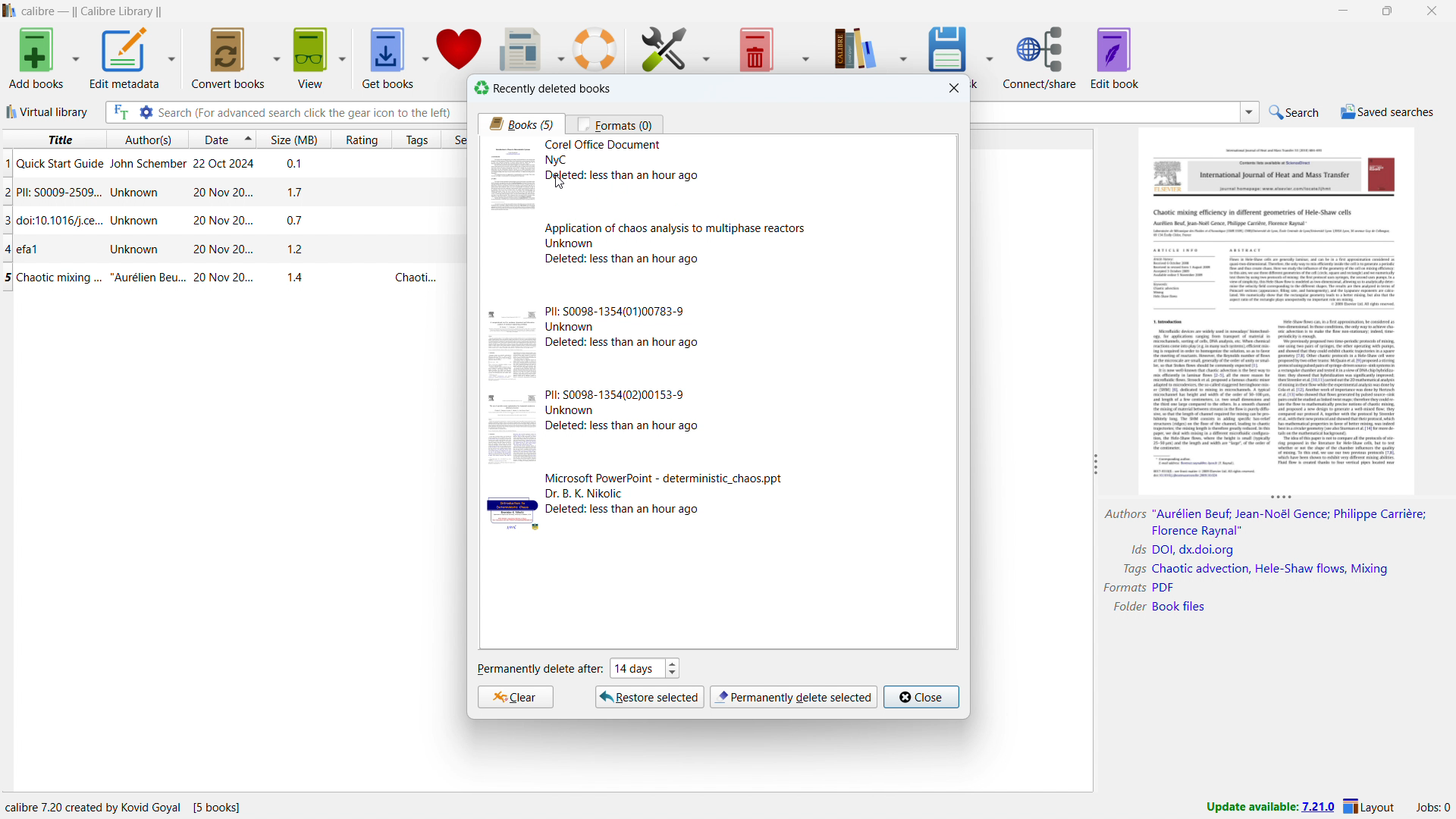 This screenshot has width=1456, height=819. What do you see at coordinates (418, 139) in the screenshot?
I see `sort by tags` at bounding box center [418, 139].